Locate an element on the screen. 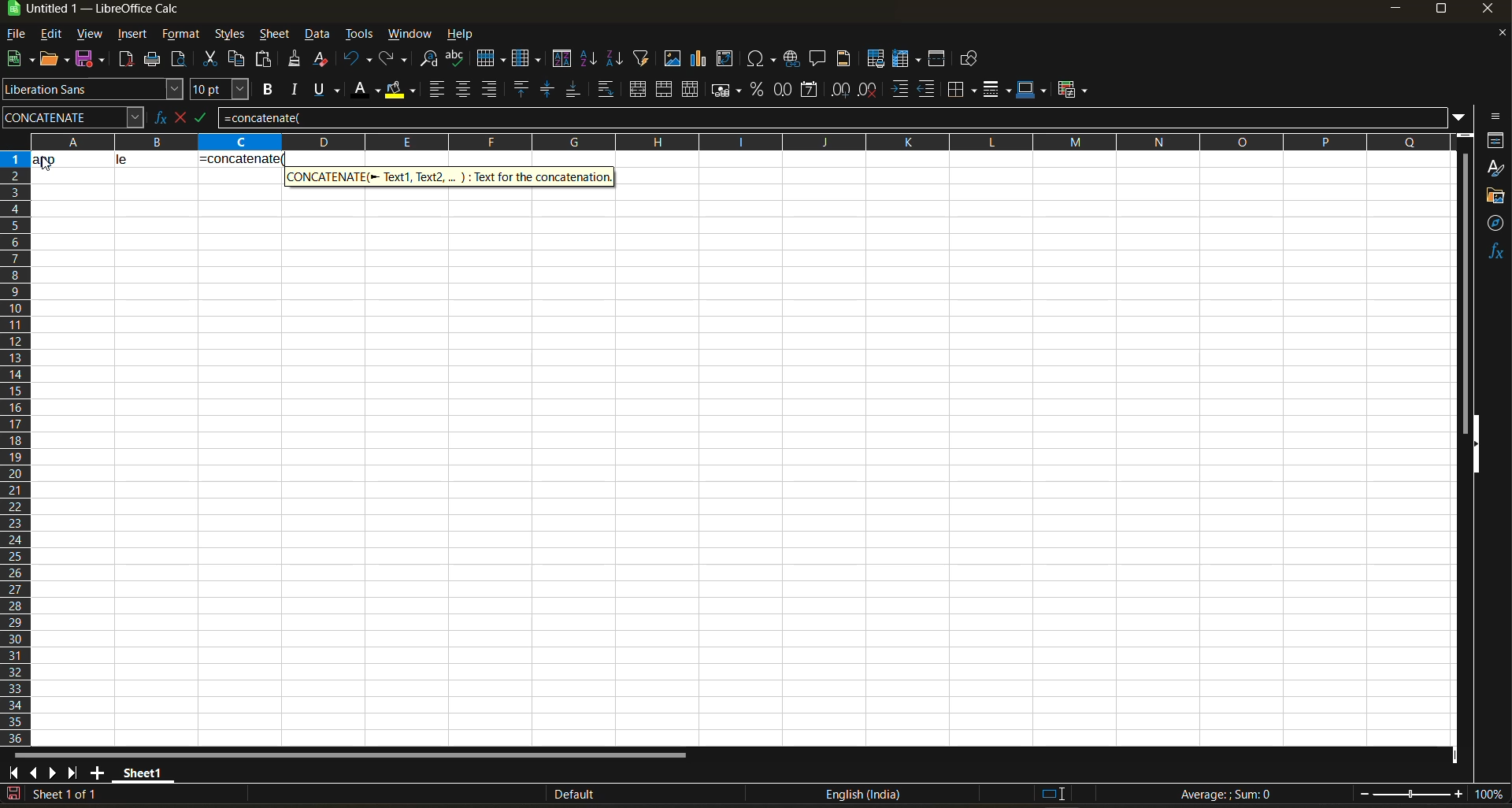  spelling is located at coordinates (454, 60).